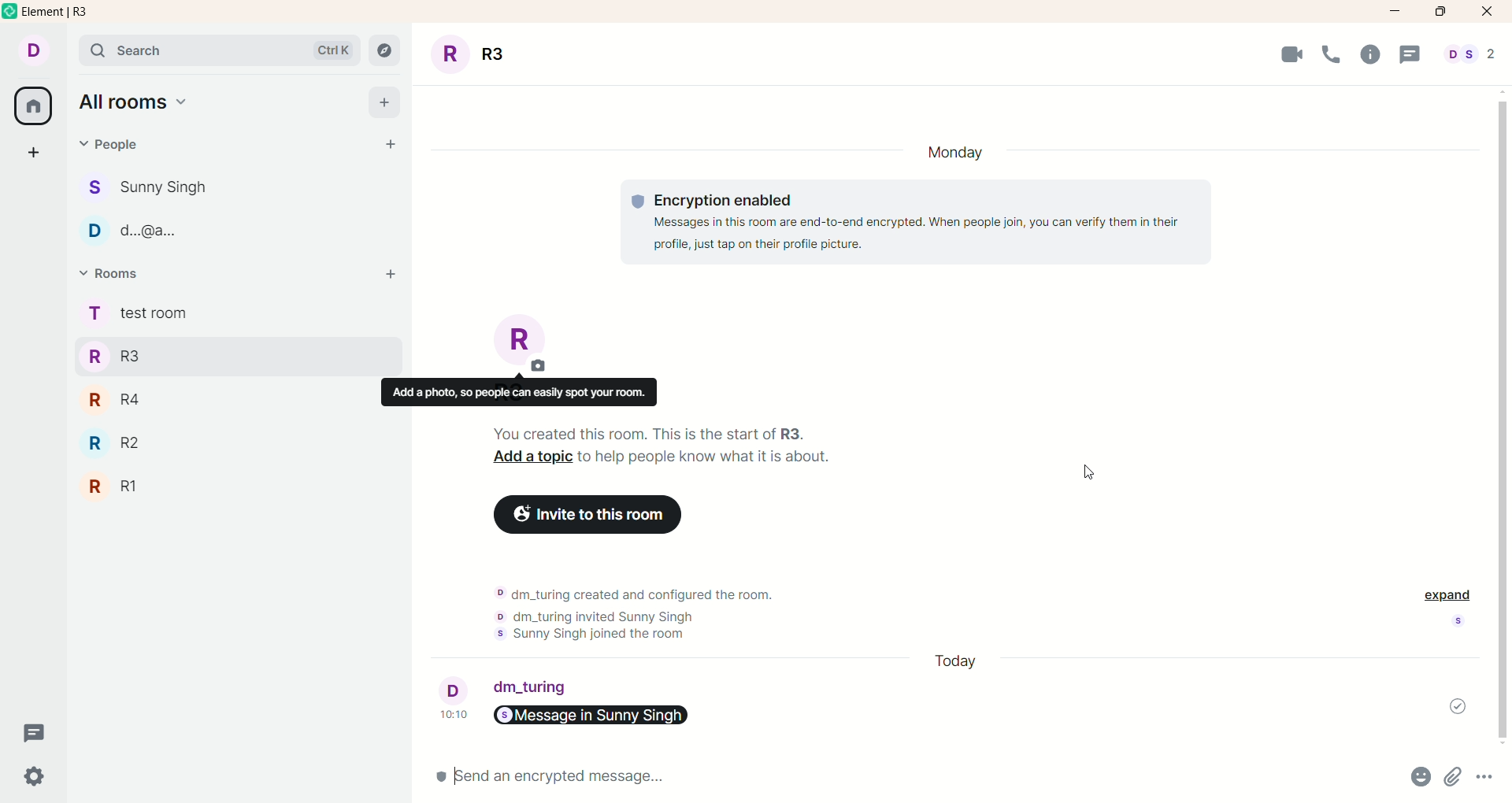 Image resolution: width=1512 pixels, height=803 pixels. I want to click on time, so click(457, 718).